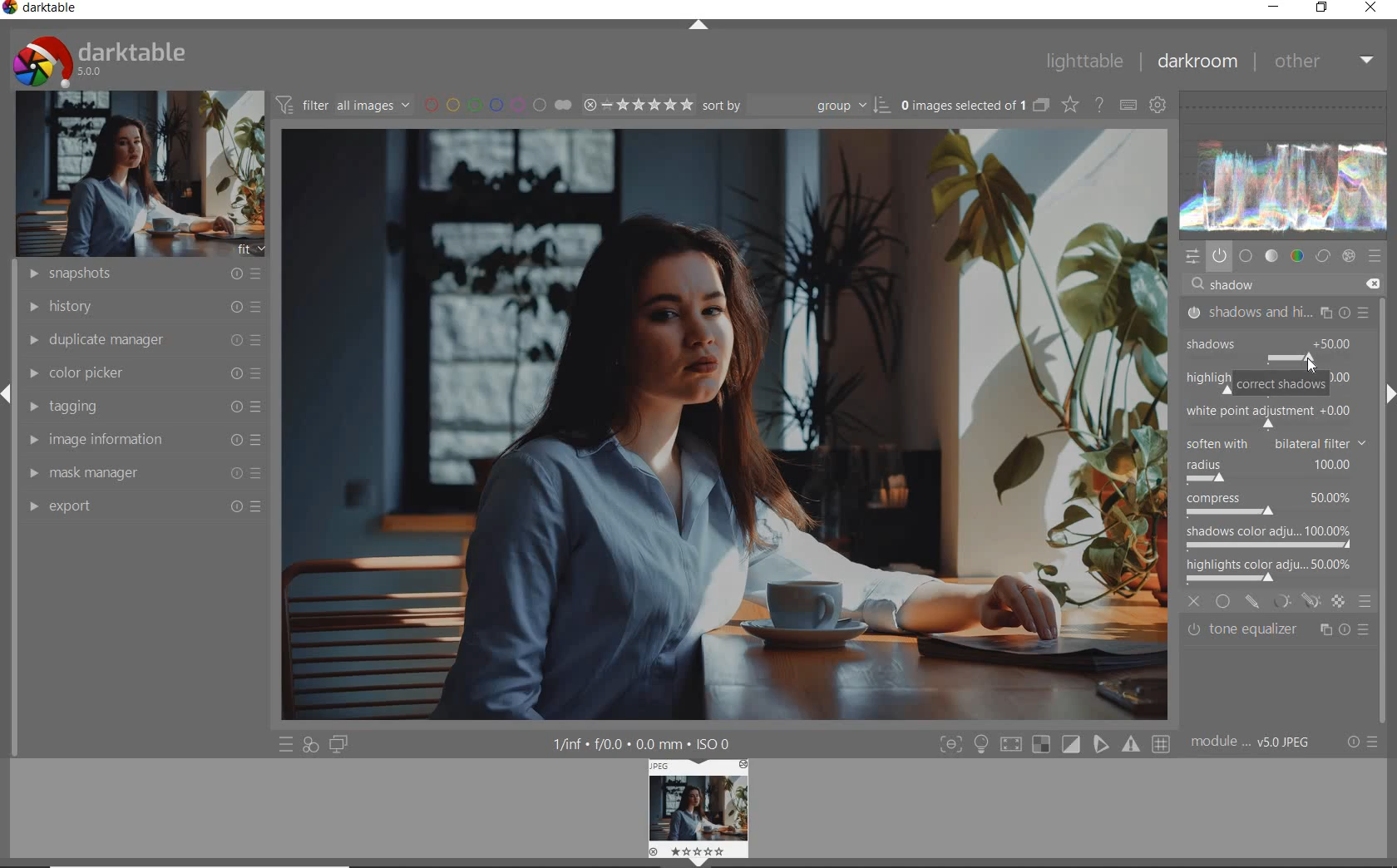  I want to click on snapshots, so click(139, 274).